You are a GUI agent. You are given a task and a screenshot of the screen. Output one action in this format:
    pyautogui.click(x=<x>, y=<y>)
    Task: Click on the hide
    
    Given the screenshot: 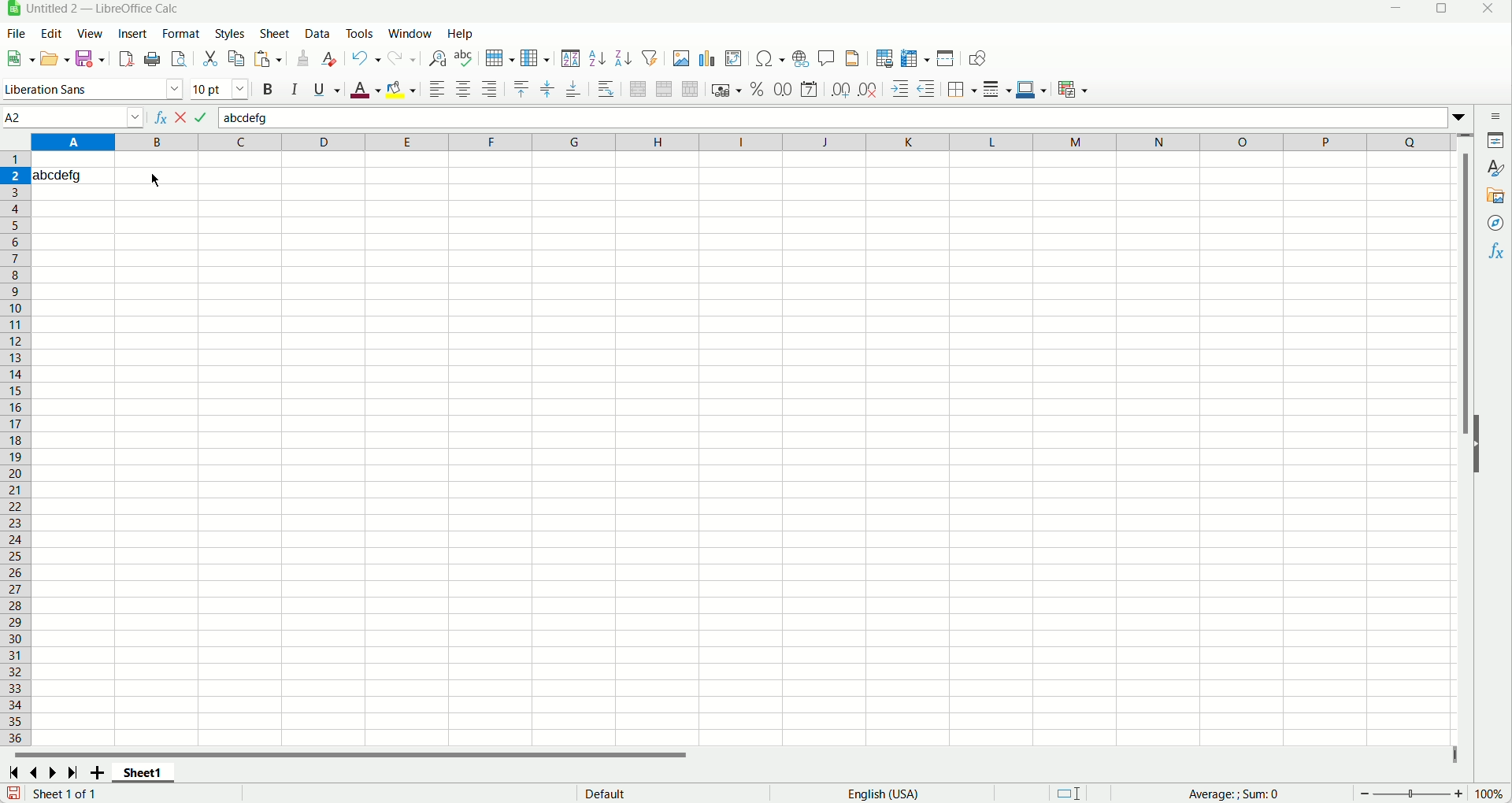 What is the action you would take?
    pyautogui.click(x=1477, y=444)
    